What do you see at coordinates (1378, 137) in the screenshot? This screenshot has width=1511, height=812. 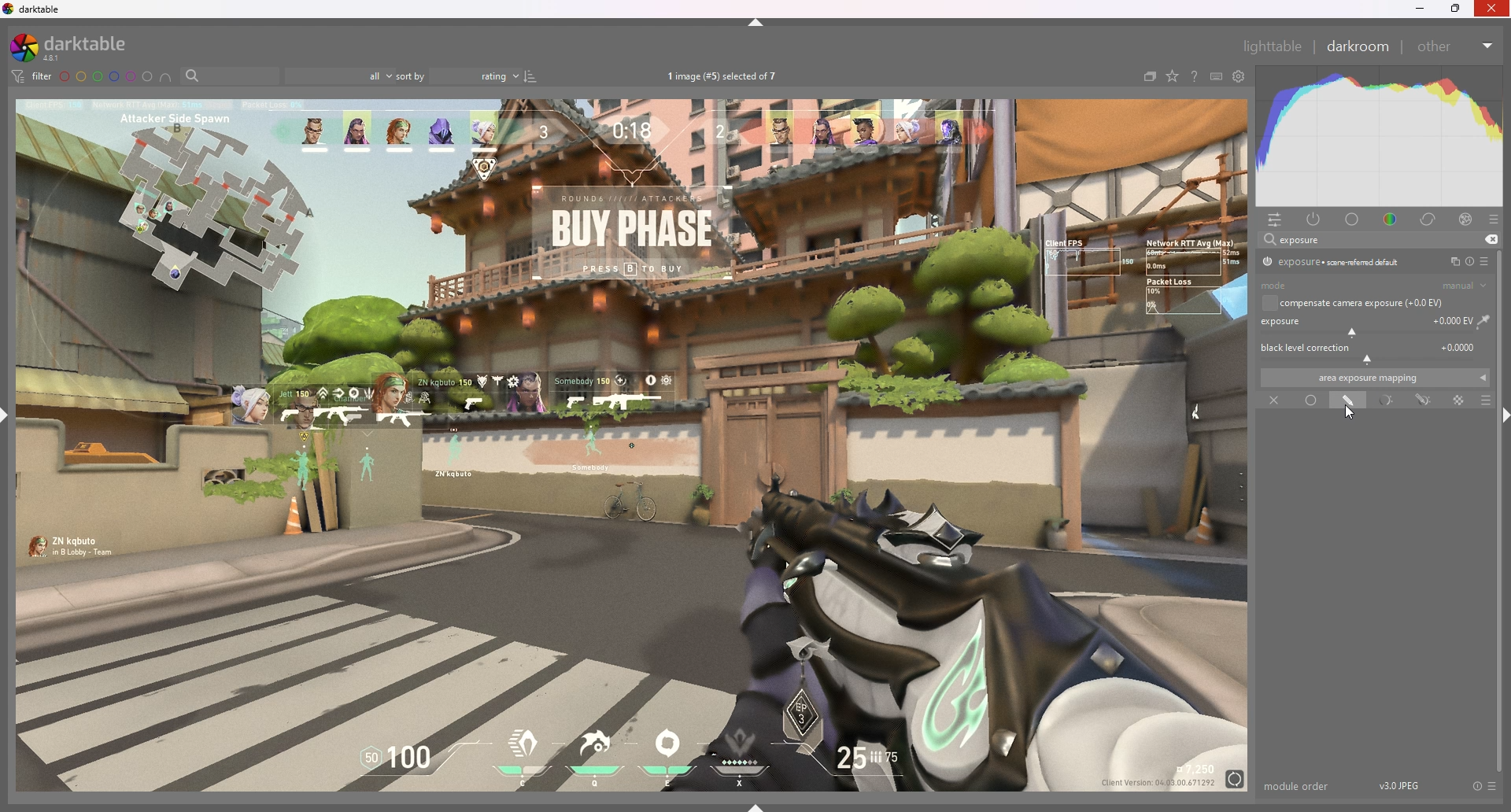 I see `heat graph` at bounding box center [1378, 137].